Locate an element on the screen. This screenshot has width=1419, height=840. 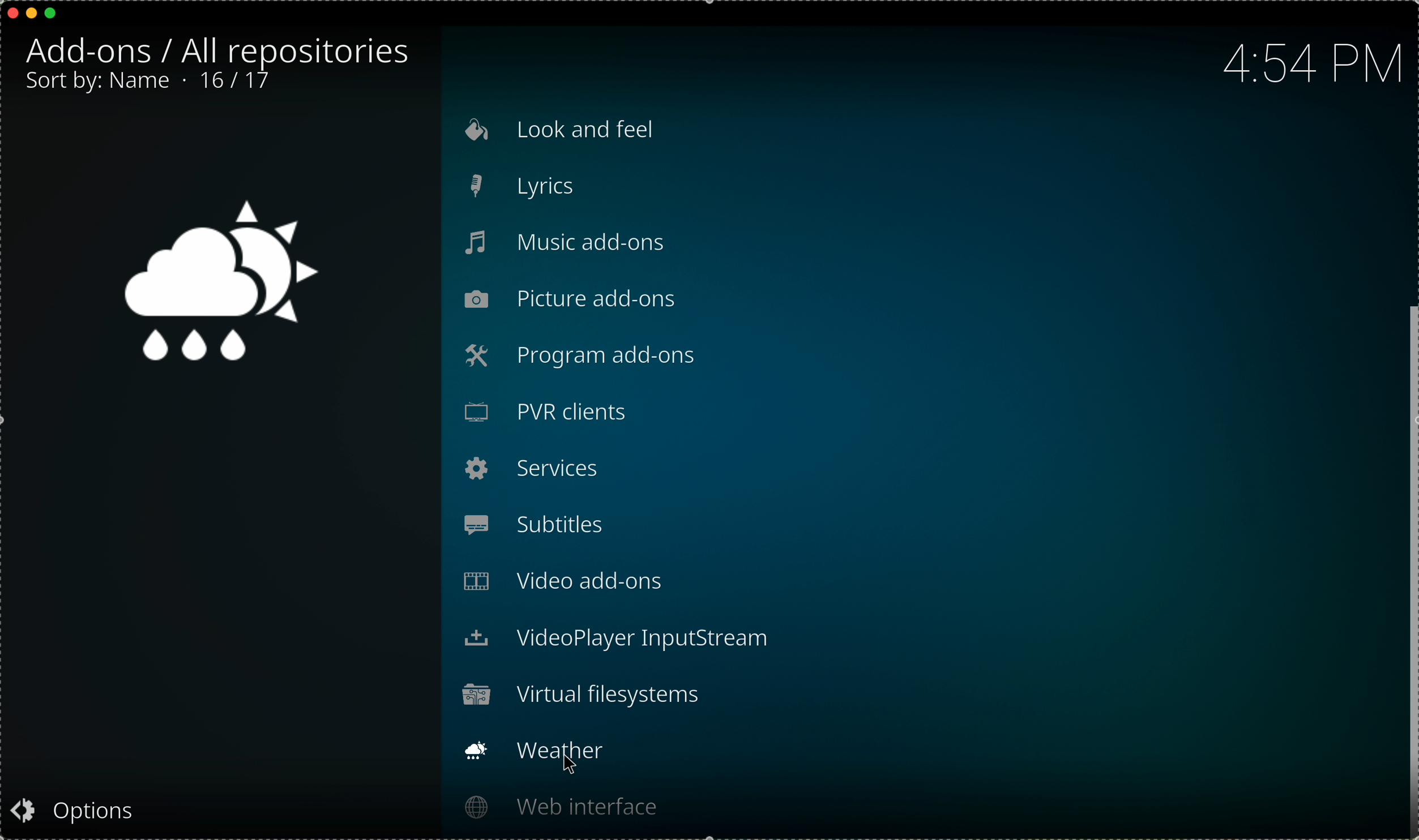
web interface is located at coordinates (558, 806).